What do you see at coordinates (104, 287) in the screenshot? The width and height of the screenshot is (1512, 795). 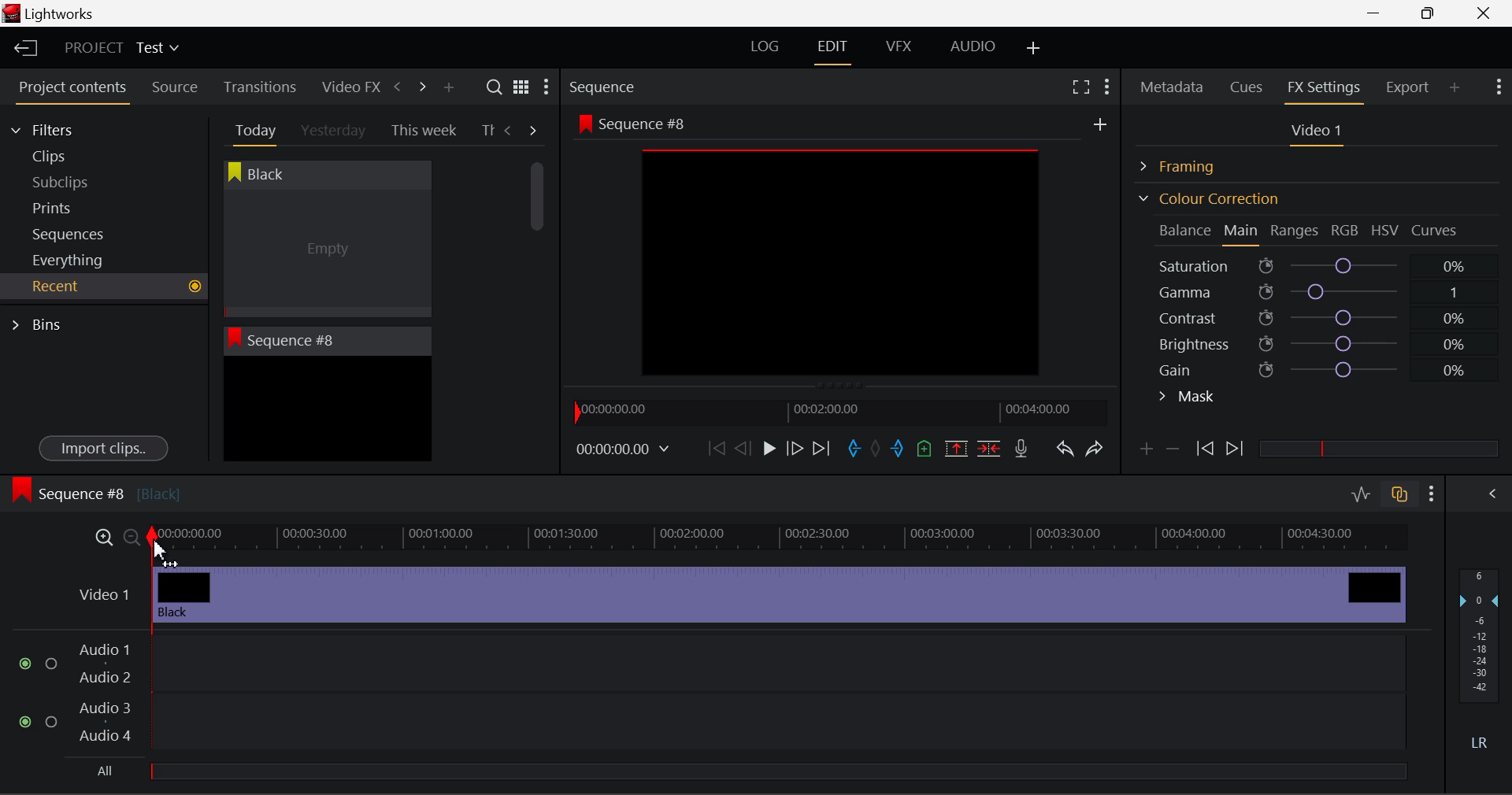 I see `Recent Tab Open` at bounding box center [104, 287].